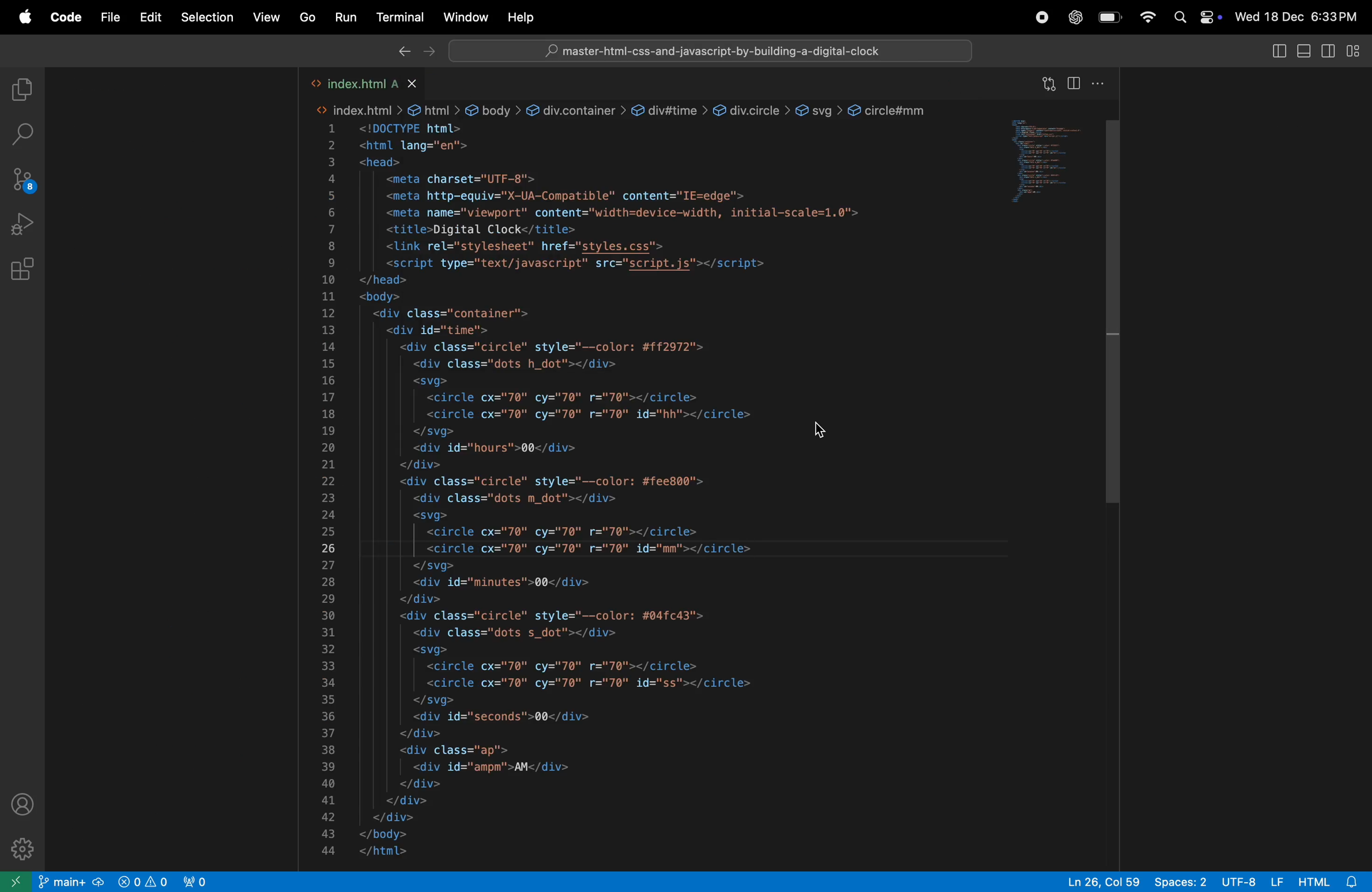 The width and height of the screenshot is (1372, 892). Describe the element at coordinates (1072, 84) in the screenshot. I see `split editor` at that location.